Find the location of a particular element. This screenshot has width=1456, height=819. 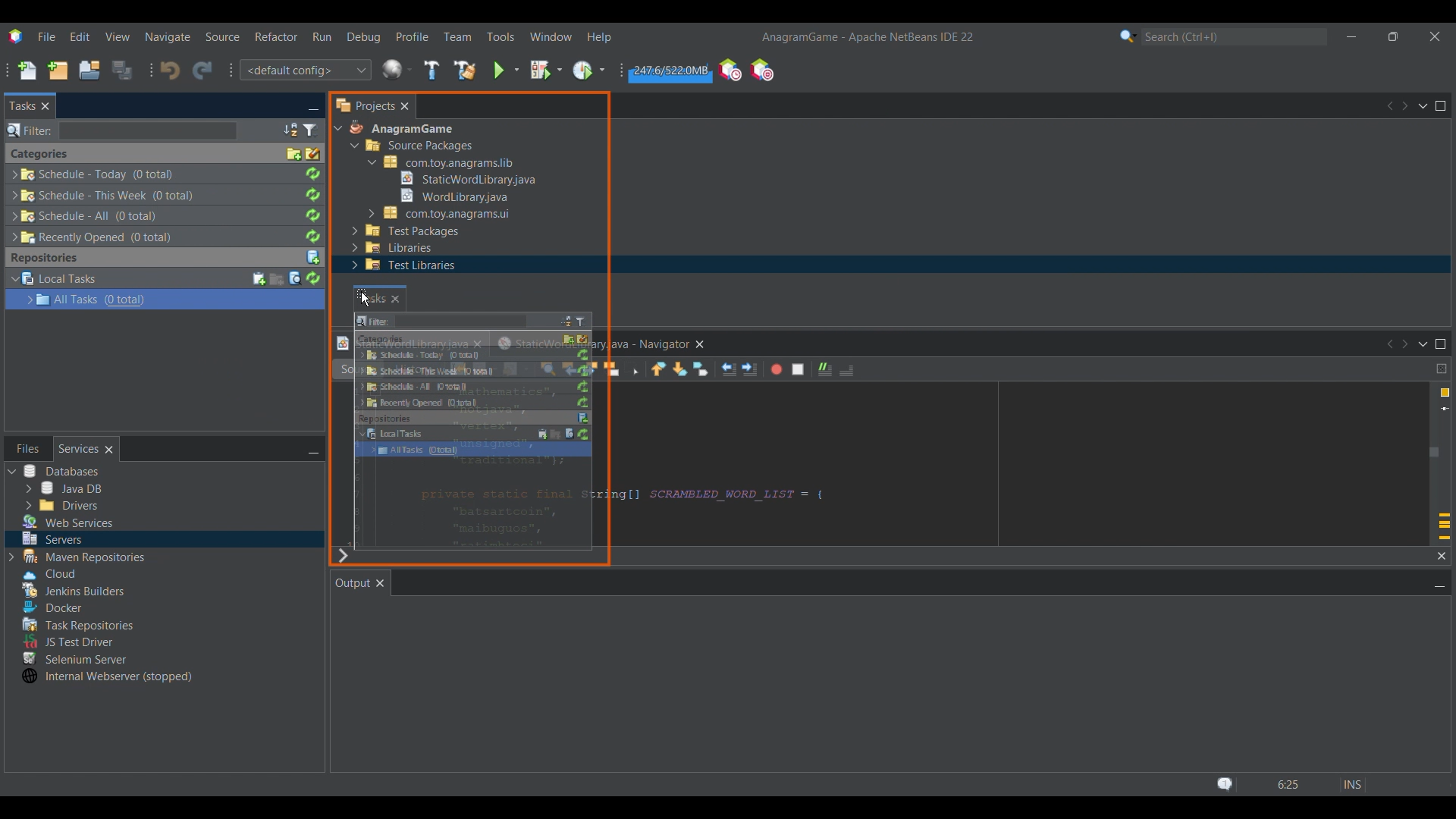

 is located at coordinates (443, 213).